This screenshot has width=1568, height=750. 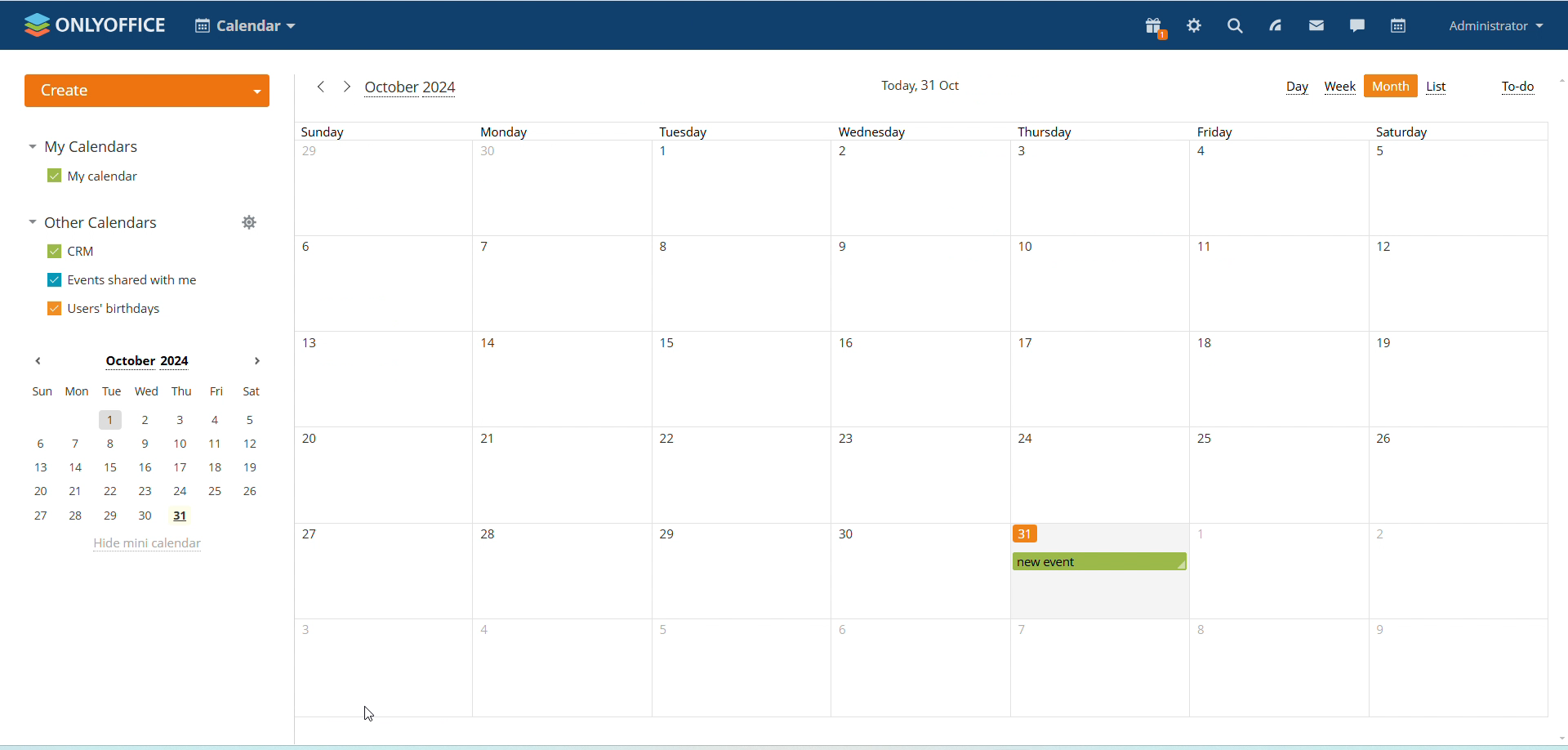 What do you see at coordinates (1317, 27) in the screenshot?
I see `mail` at bounding box center [1317, 27].